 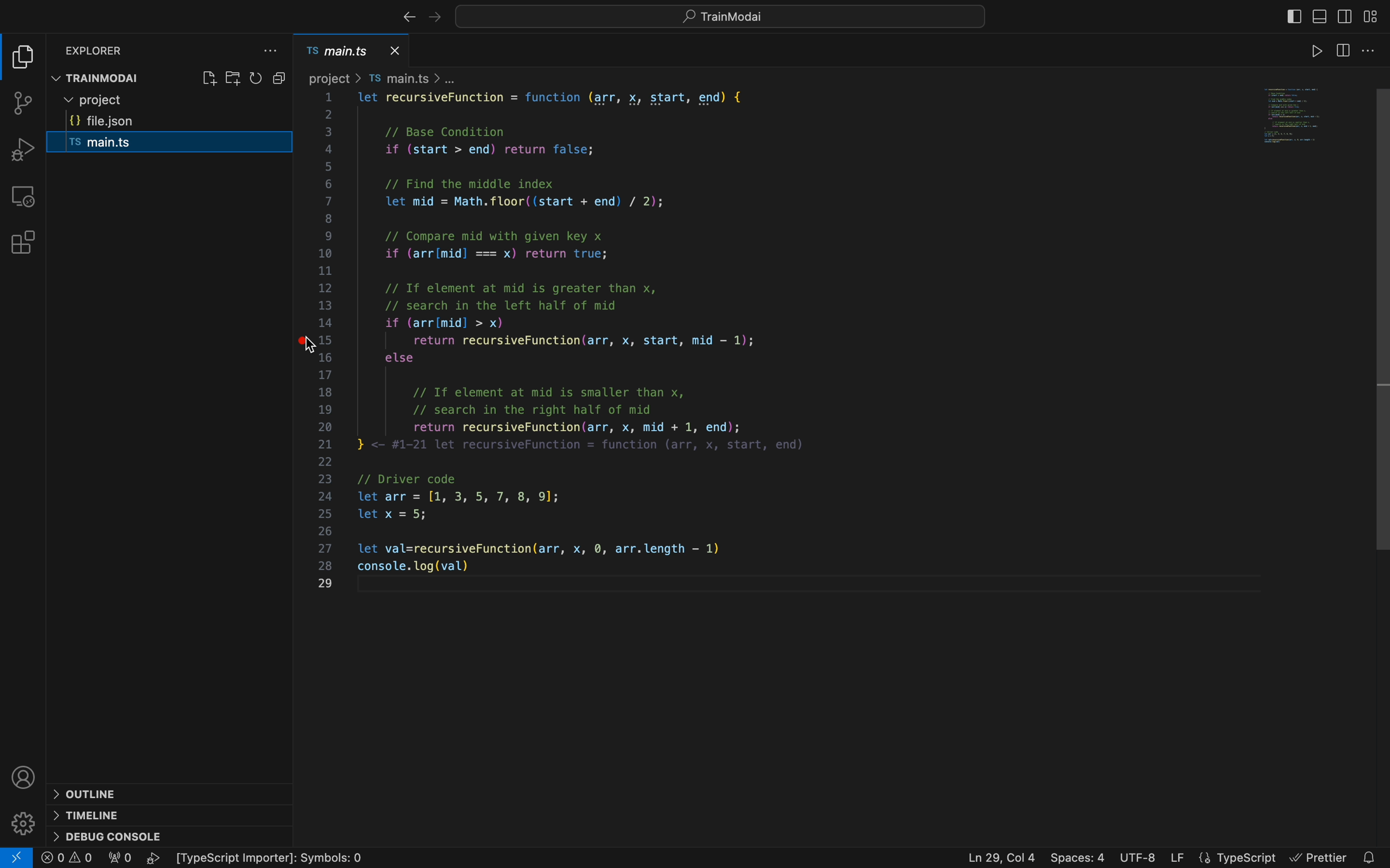 I want to click on LF, so click(x=1173, y=856).